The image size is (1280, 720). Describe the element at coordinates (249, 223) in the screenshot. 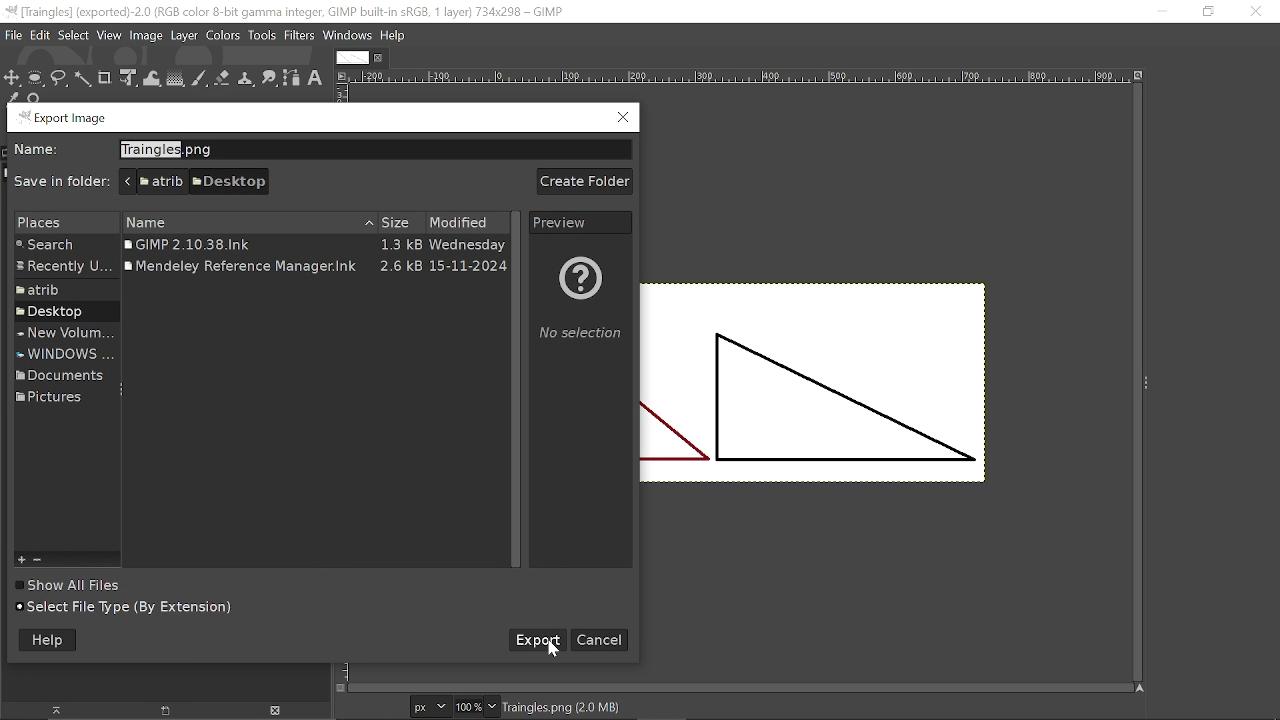

I see `Name of the file` at that location.